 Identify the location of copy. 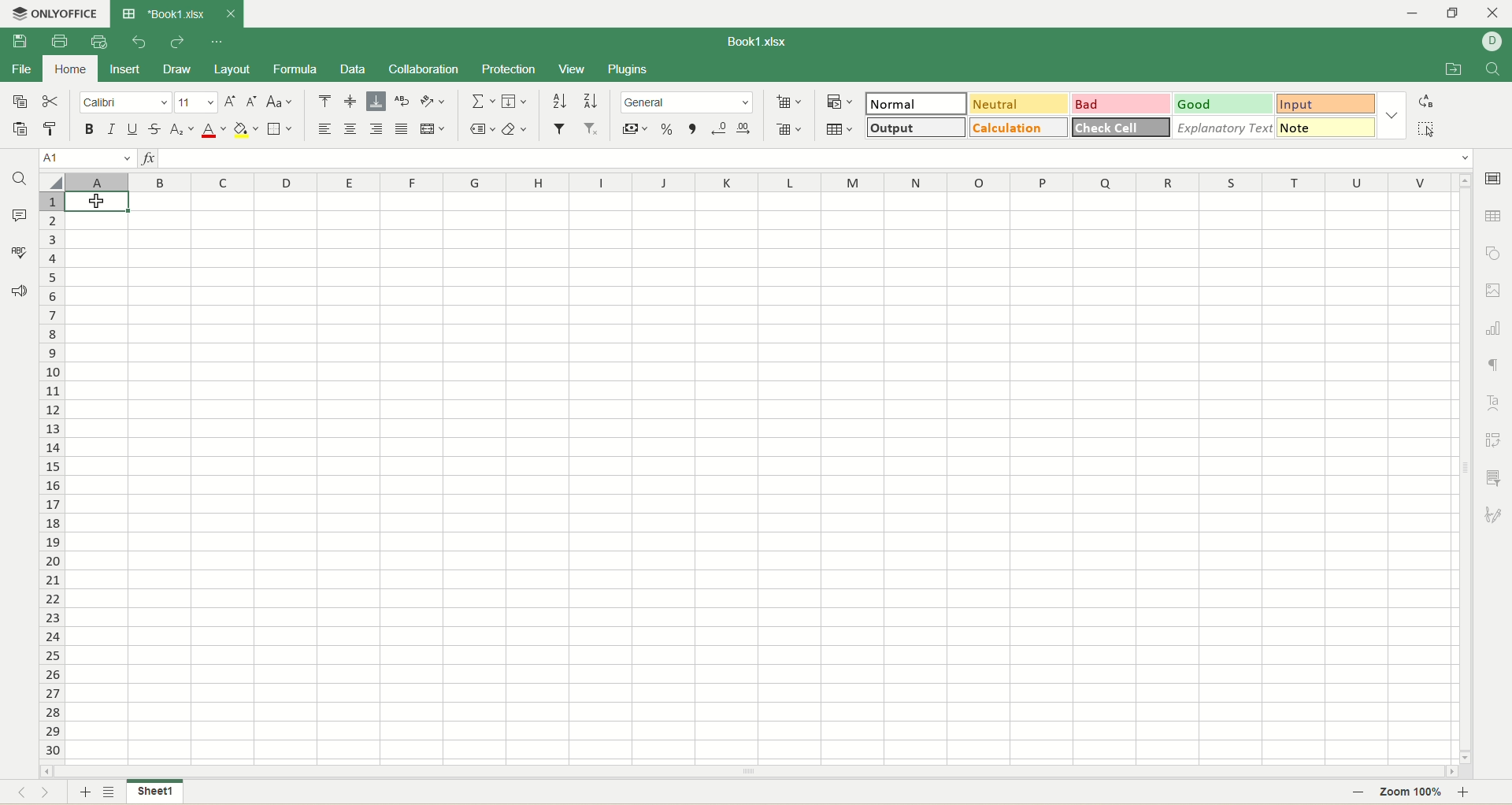
(19, 102).